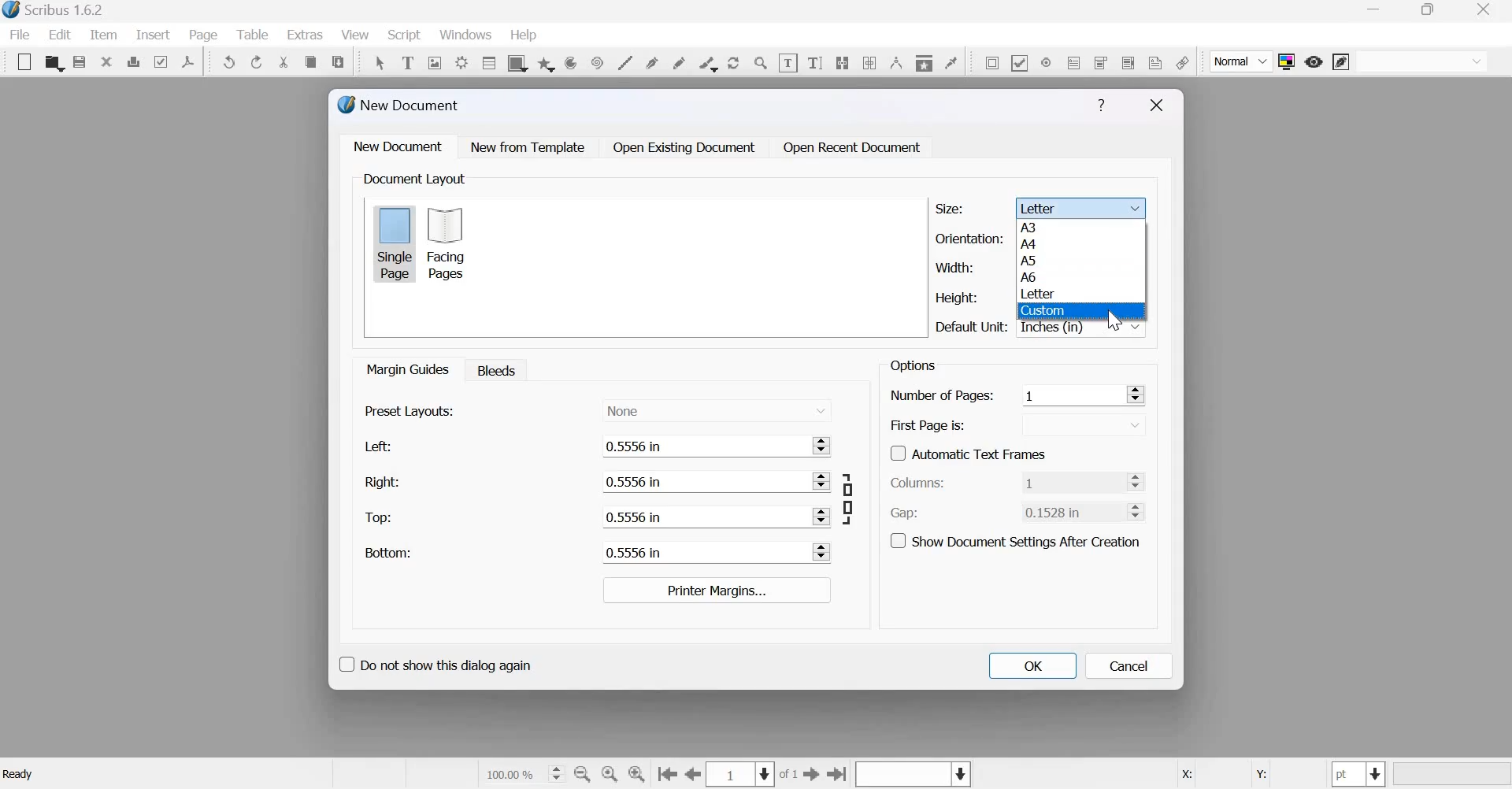 Image resolution: width=1512 pixels, height=789 pixels. What do you see at coordinates (1031, 261) in the screenshot?
I see `A5` at bounding box center [1031, 261].